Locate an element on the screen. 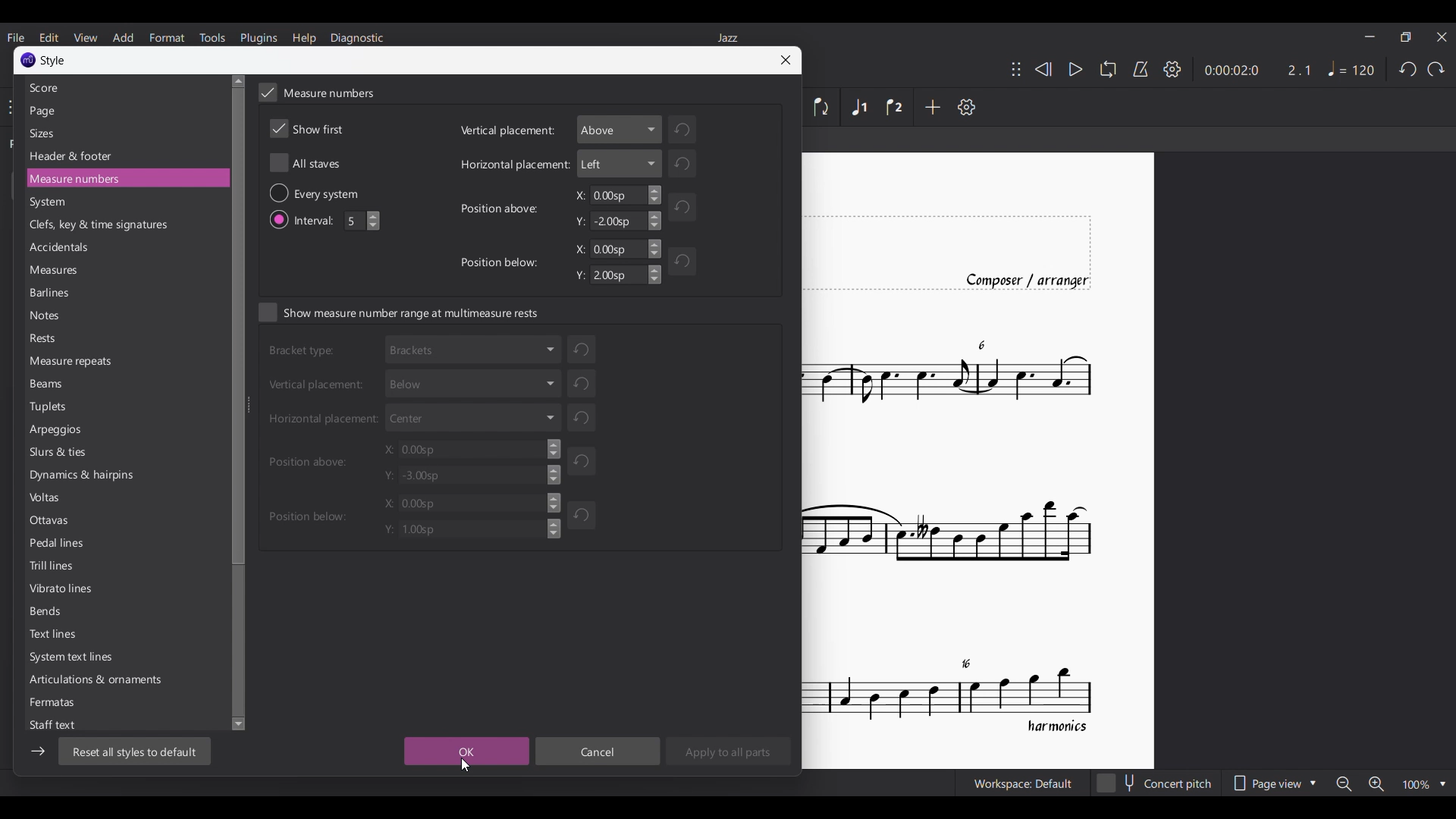 The image size is (1456, 819). Current score is located at coordinates (979, 459).